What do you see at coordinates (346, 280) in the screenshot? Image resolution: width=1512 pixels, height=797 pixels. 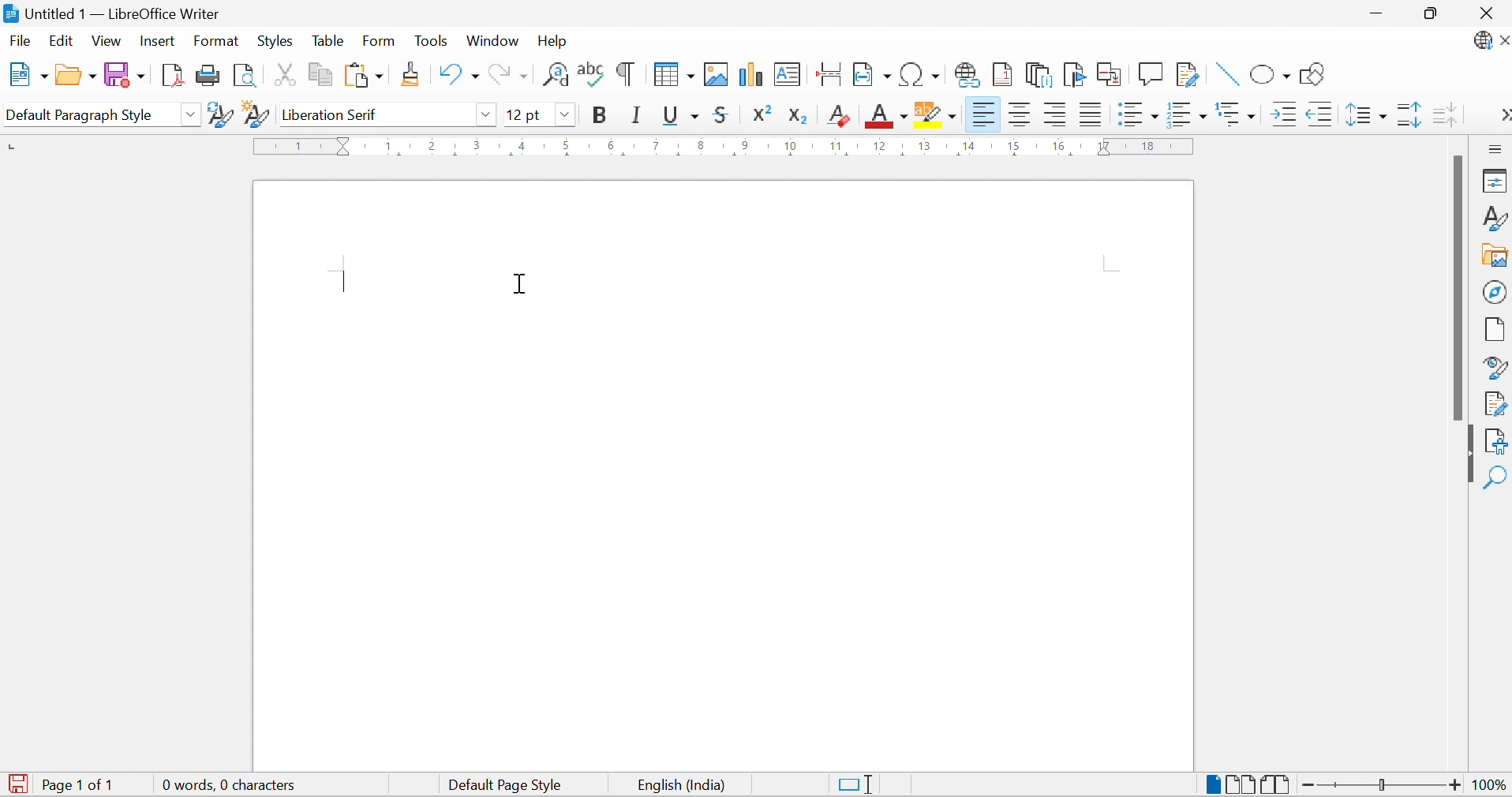 I see `Typing Cursor` at bounding box center [346, 280].